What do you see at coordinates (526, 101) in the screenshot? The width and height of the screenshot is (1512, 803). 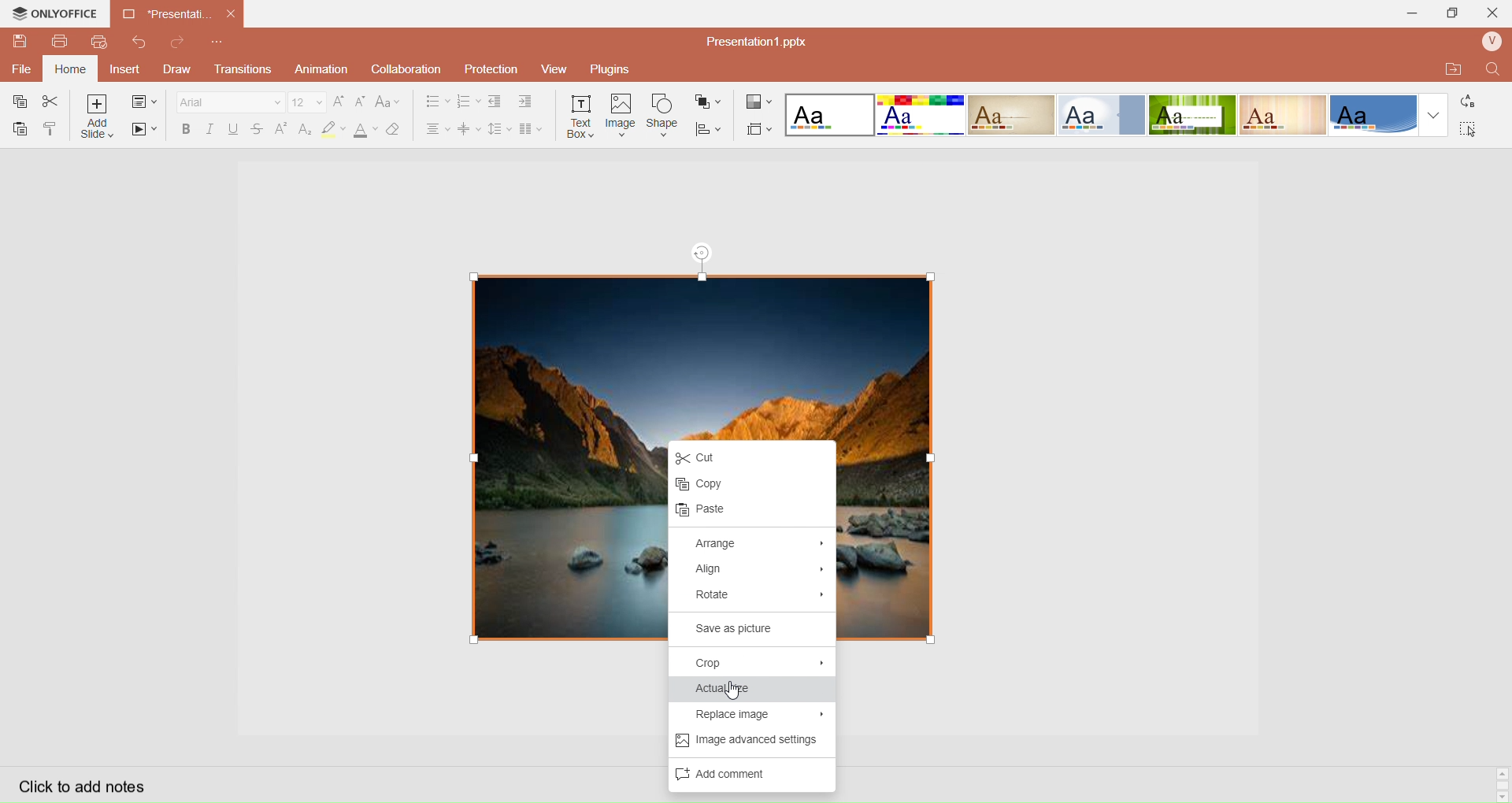 I see `Increase Indent` at bounding box center [526, 101].